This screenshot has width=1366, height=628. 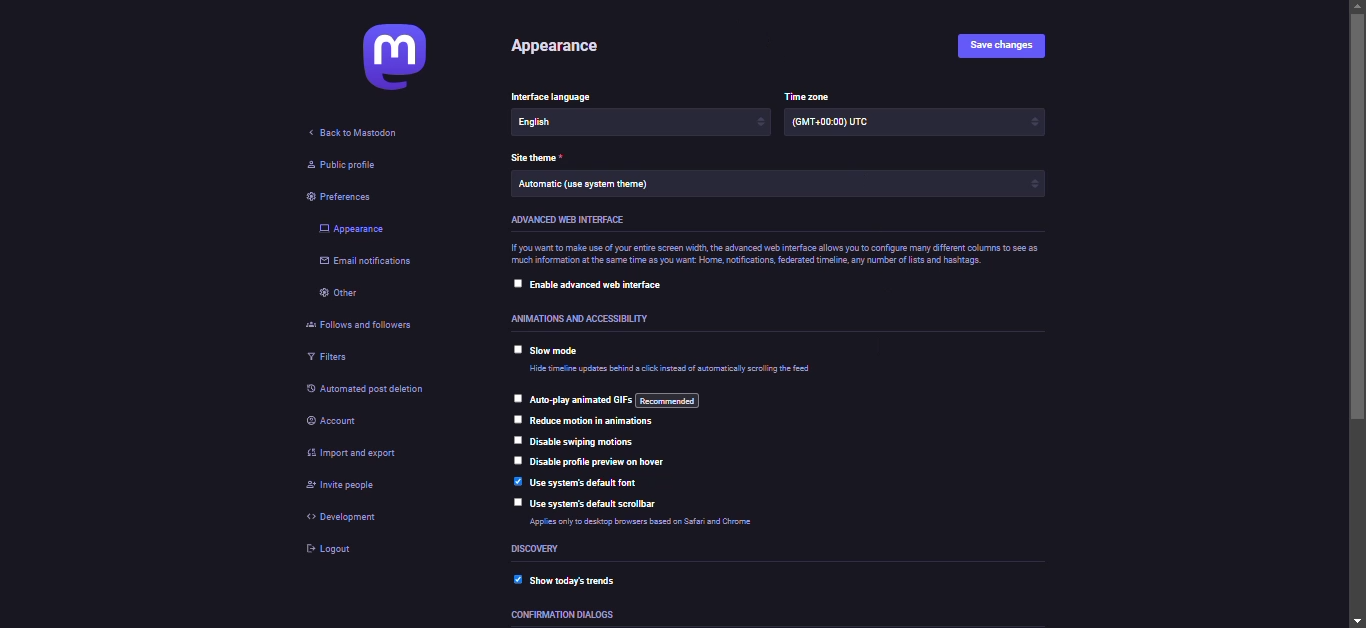 I want to click on scroll bar, so click(x=1359, y=312).